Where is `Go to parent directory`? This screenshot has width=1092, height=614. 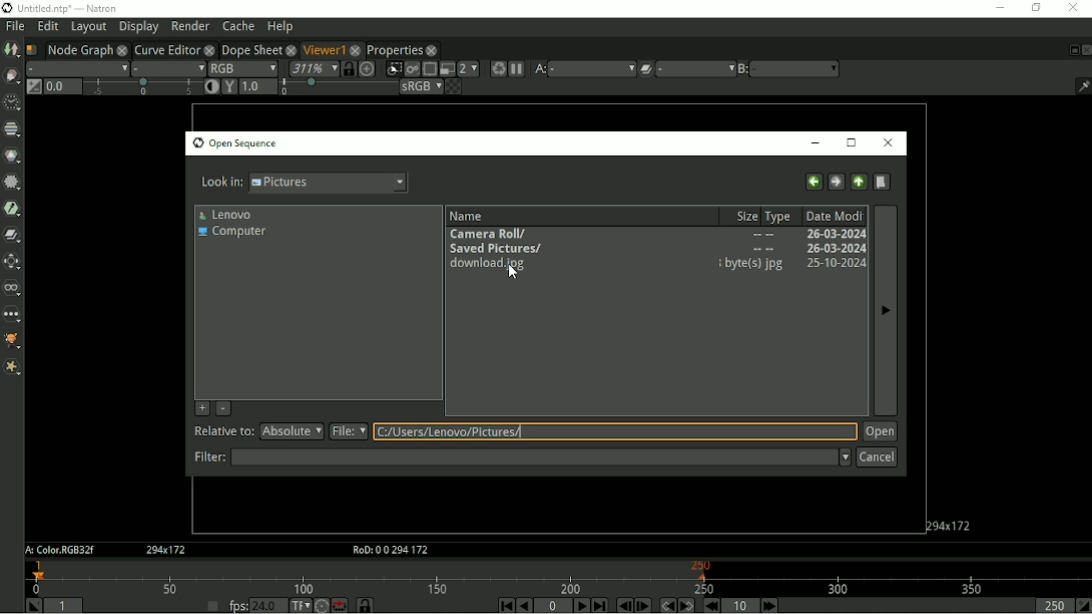 Go to parent directory is located at coordinates (859, 182).